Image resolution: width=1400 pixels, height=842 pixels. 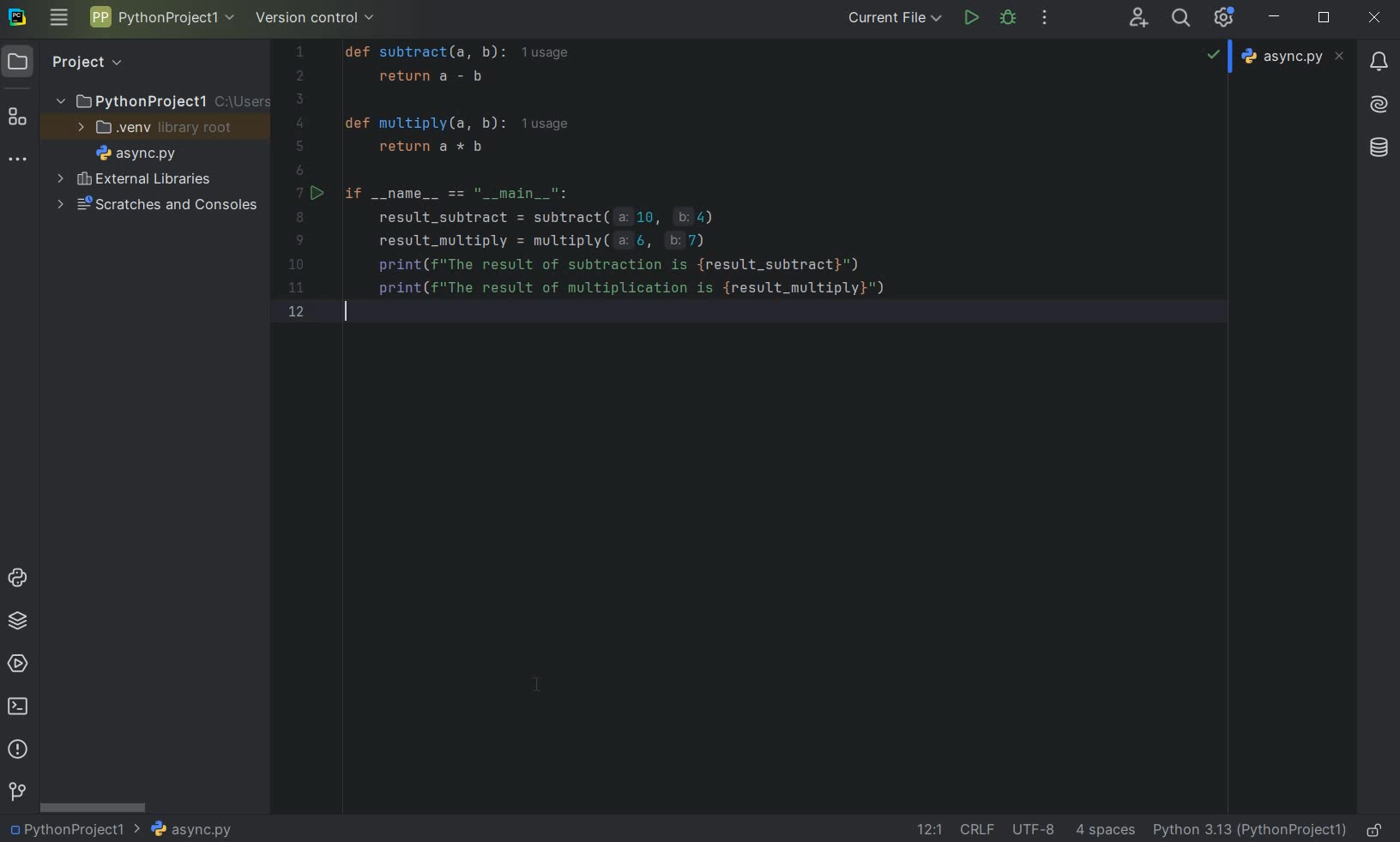 I want to click on cursor, so click(x=345, y=314).